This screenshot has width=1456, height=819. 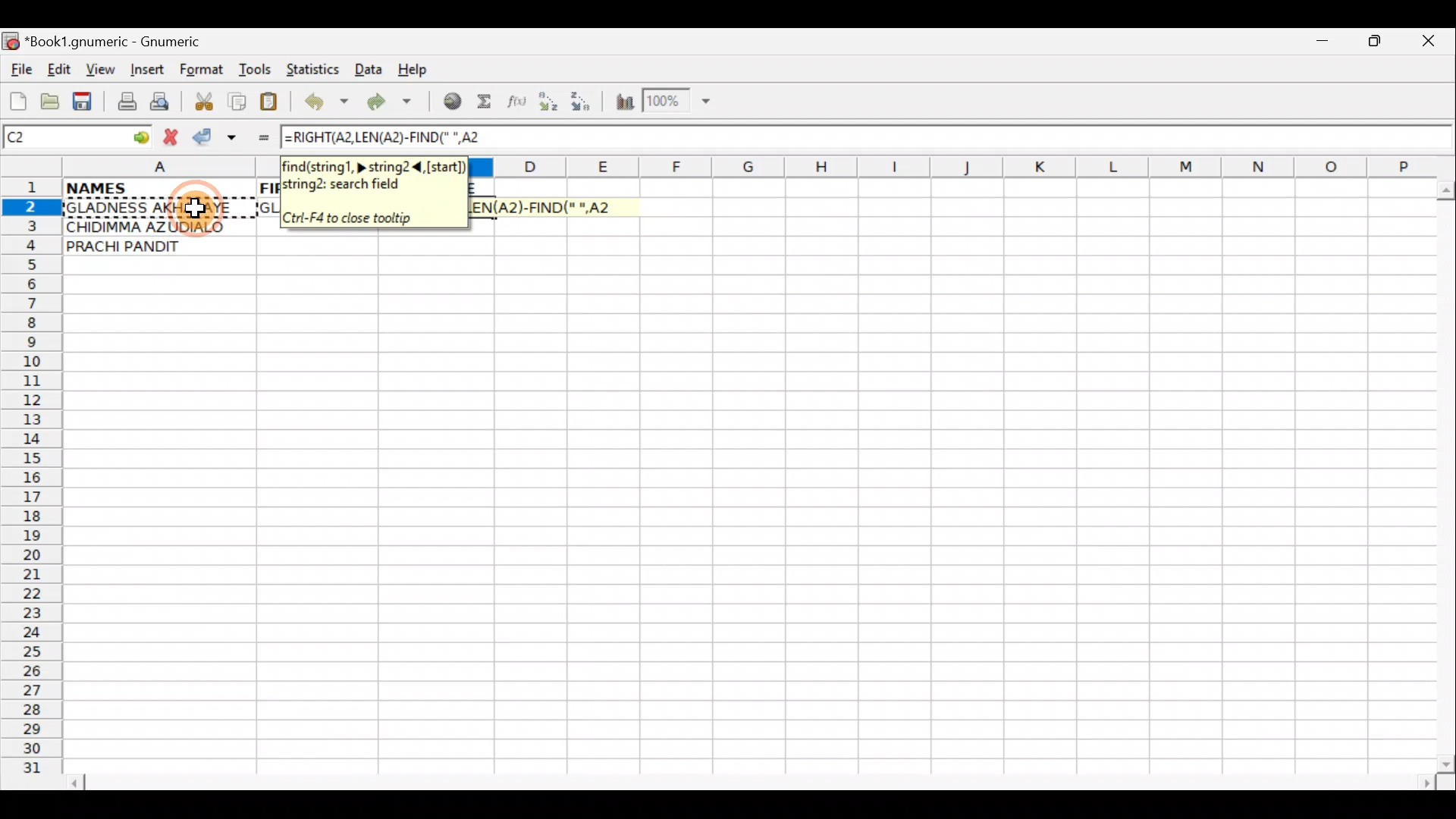 I want to click on Paste clipboard, so click(x=274, y=104).